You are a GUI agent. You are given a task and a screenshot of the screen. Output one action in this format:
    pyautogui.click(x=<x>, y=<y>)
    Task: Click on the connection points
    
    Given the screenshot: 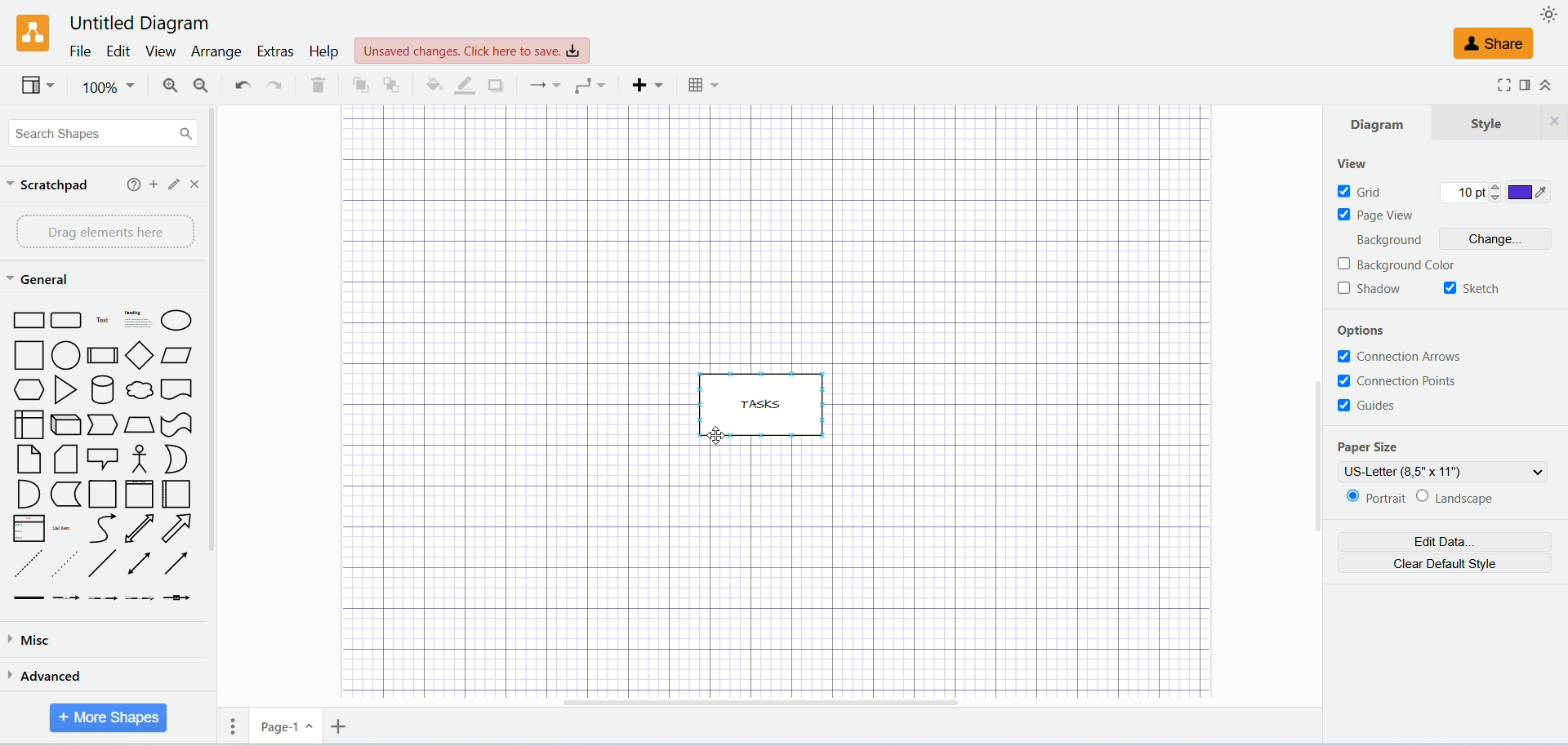 What is the action you would take?
    pyautogui.click(x=1404, y=380)
    